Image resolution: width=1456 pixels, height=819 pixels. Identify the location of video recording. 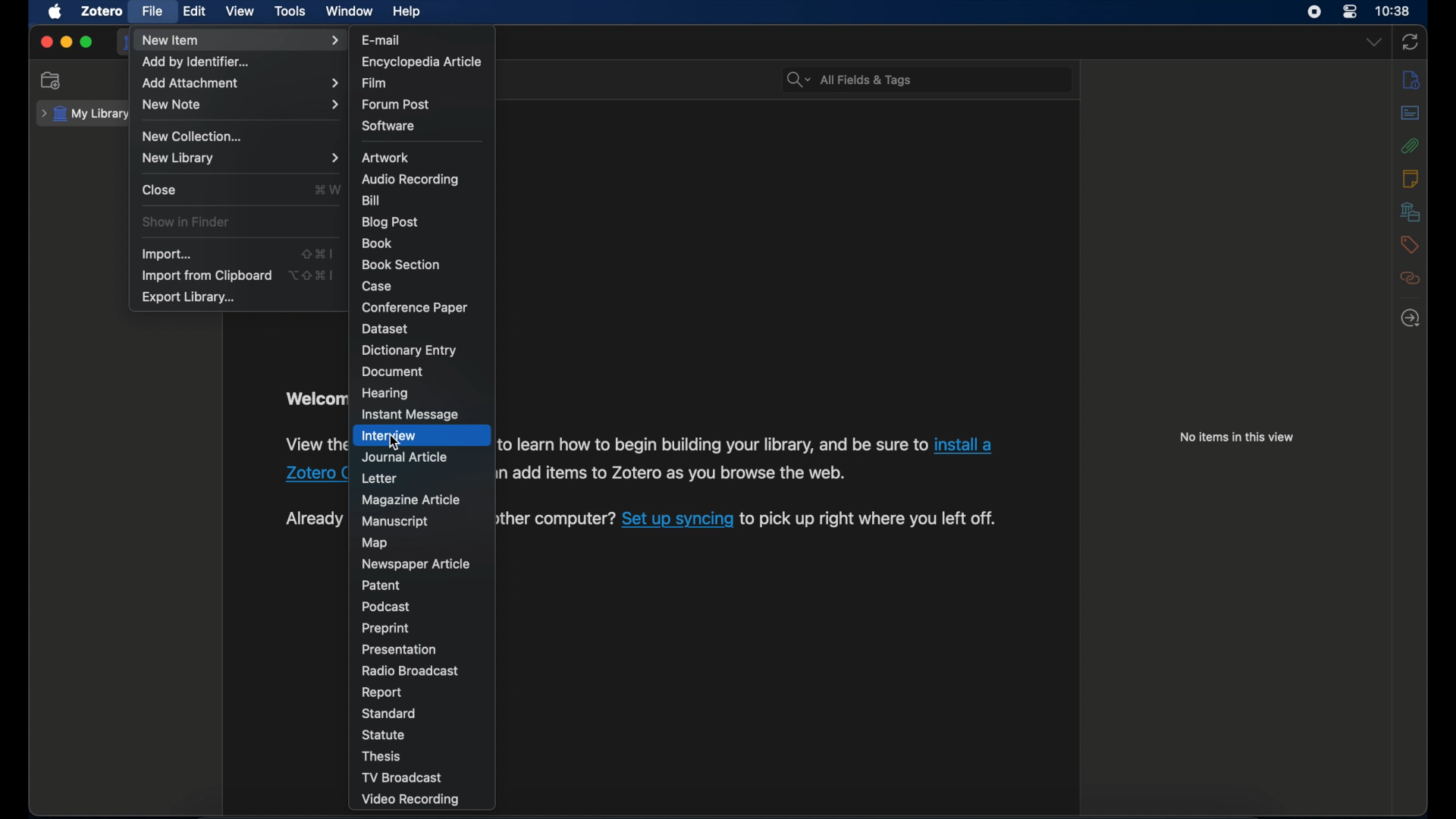
(414, 800).